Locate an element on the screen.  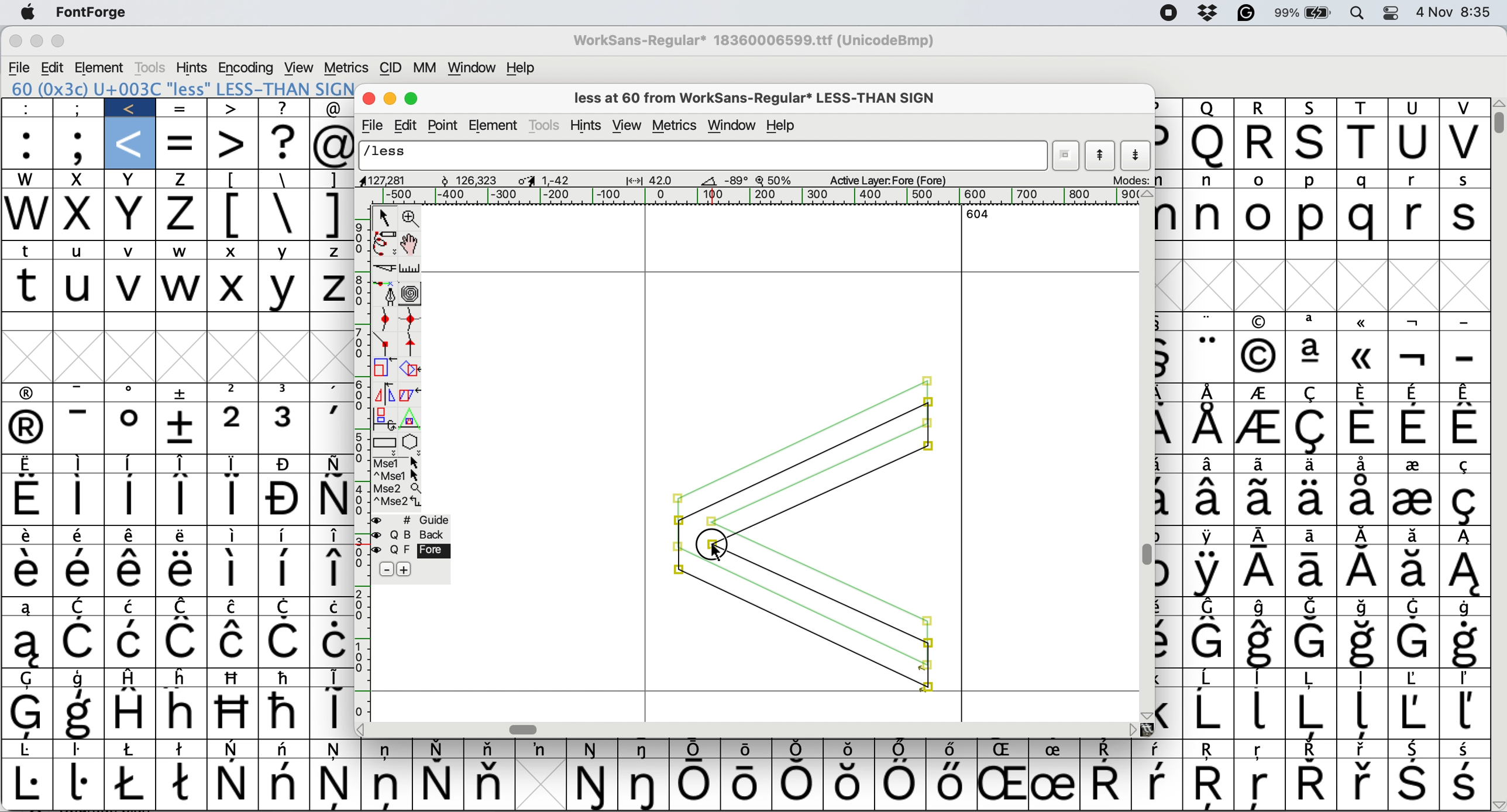
\ is located at coordinates (284, 178).